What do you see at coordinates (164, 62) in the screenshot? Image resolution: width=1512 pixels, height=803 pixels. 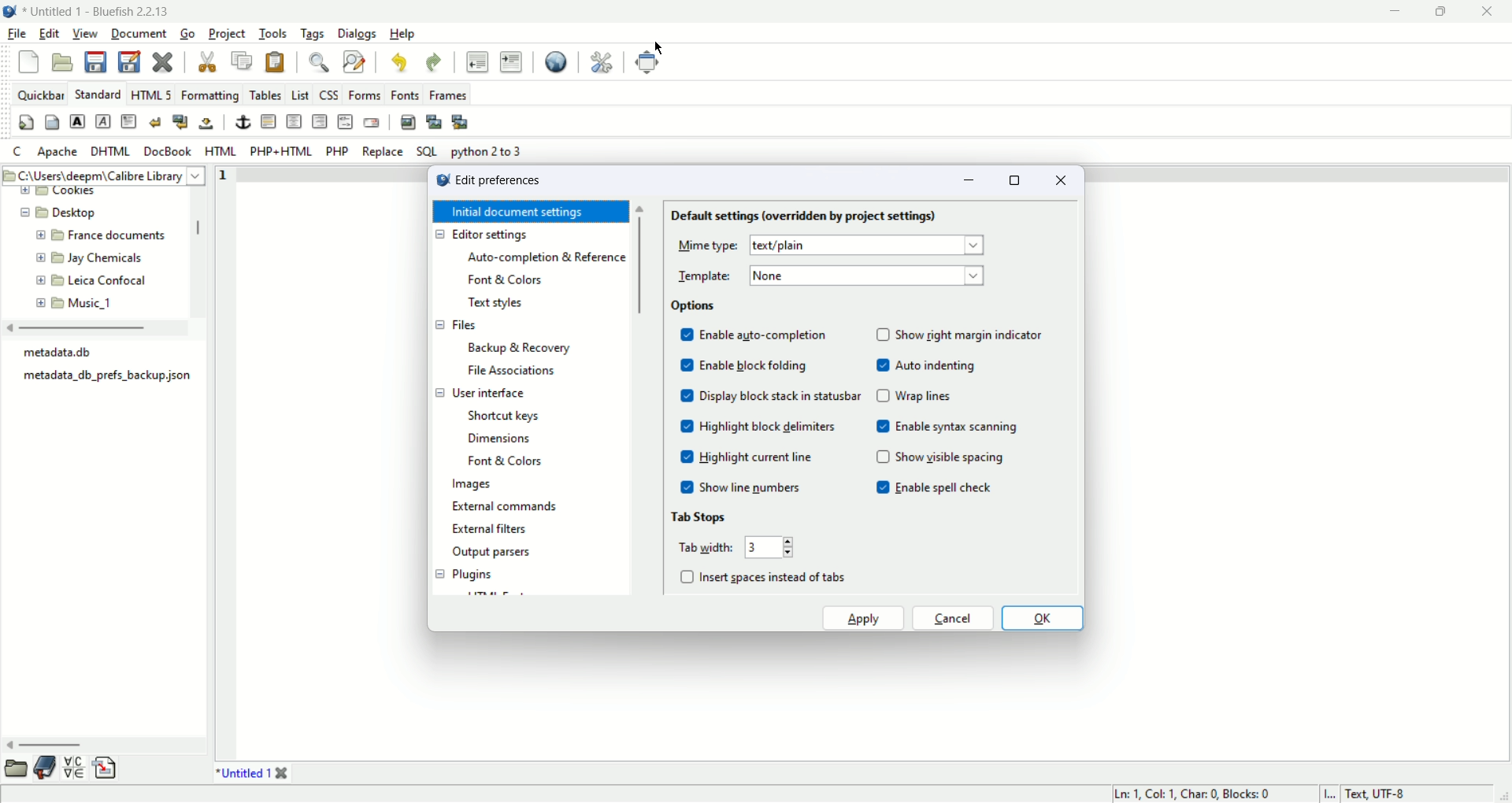 I see `close` at bounding box center [164, 62].